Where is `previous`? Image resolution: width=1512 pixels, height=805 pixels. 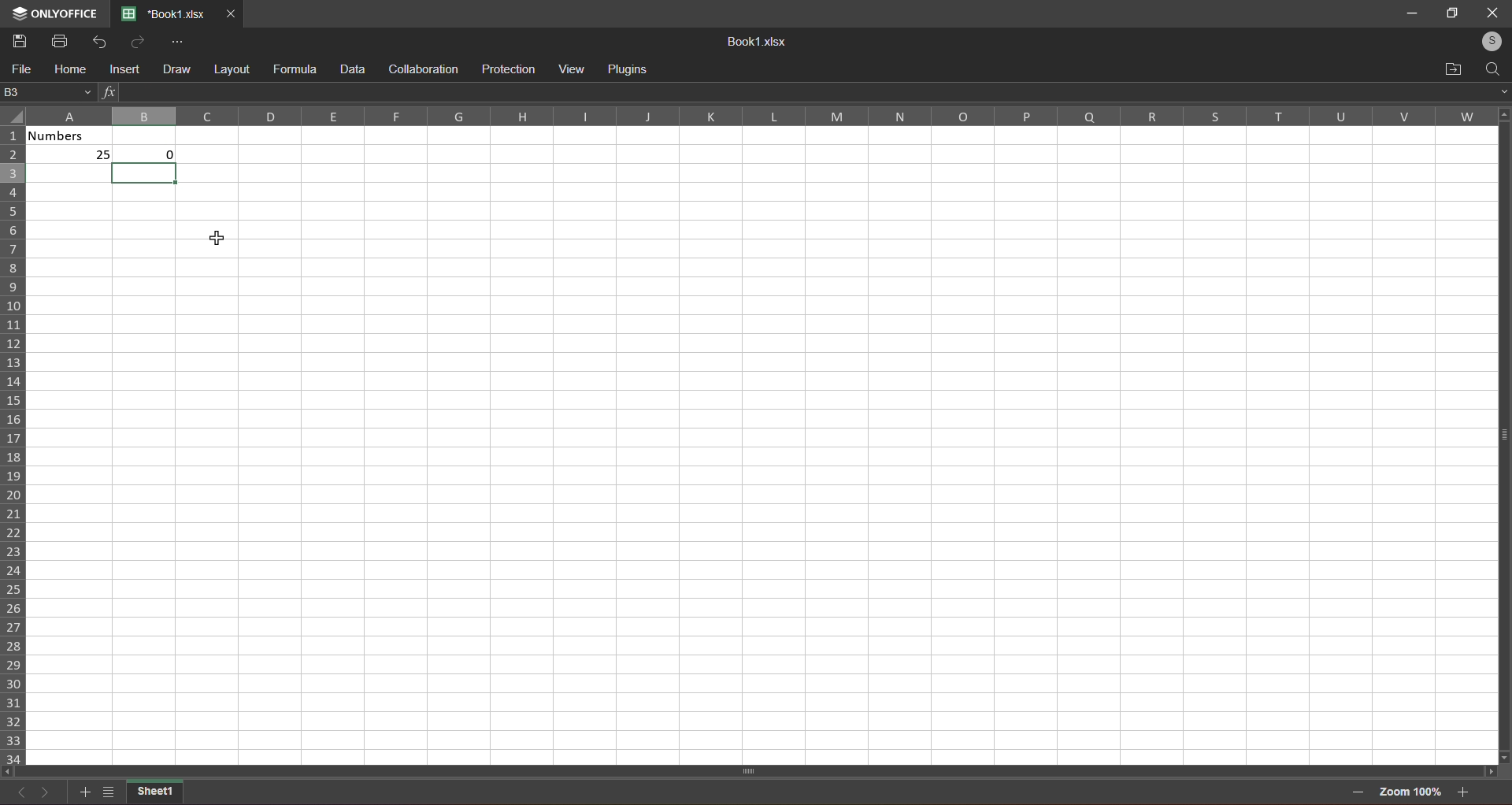 previous is located at coordinates (23, 796).